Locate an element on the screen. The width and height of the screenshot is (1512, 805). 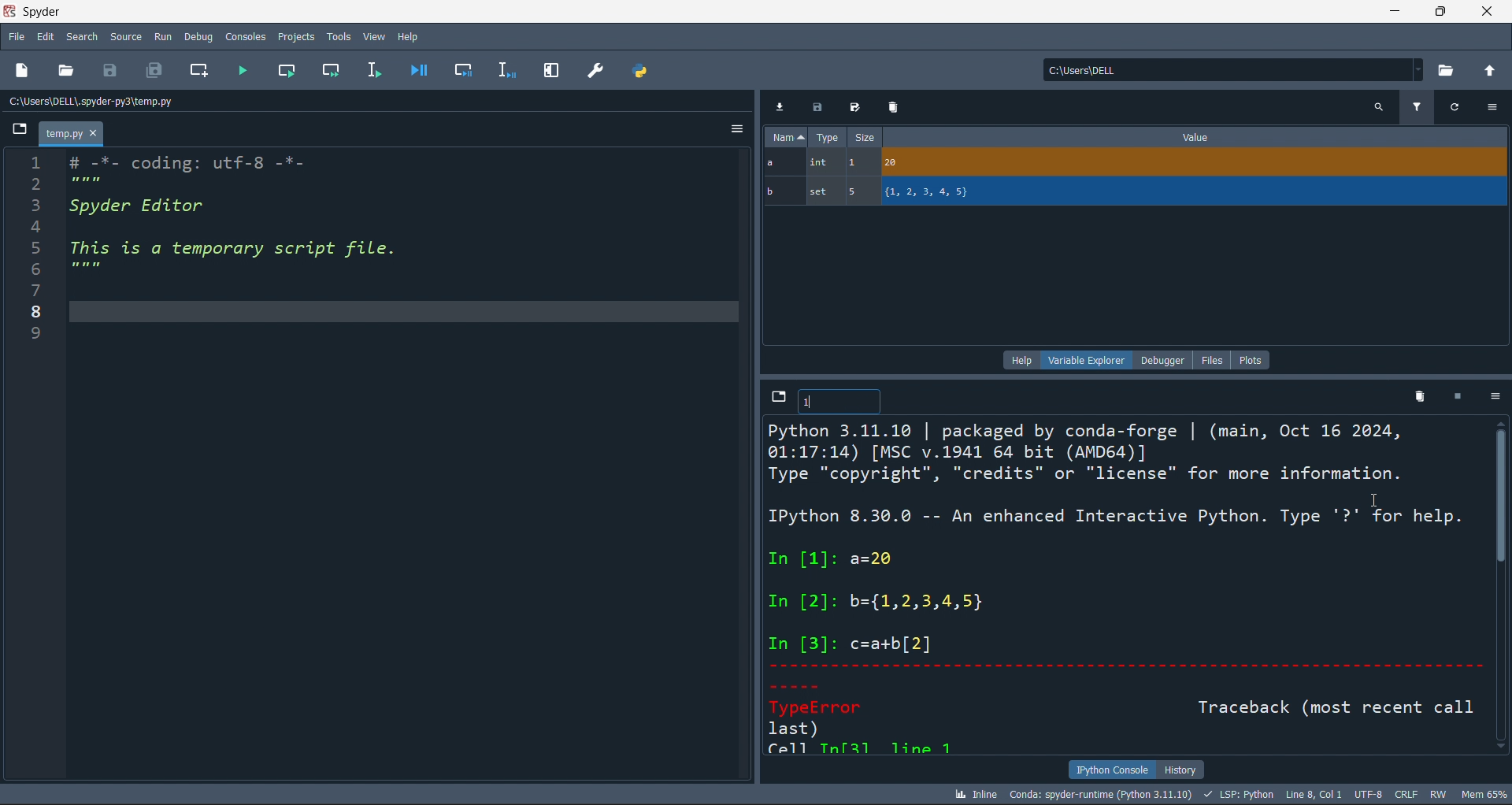
mem 64% is located at coordinates (1482, 793).